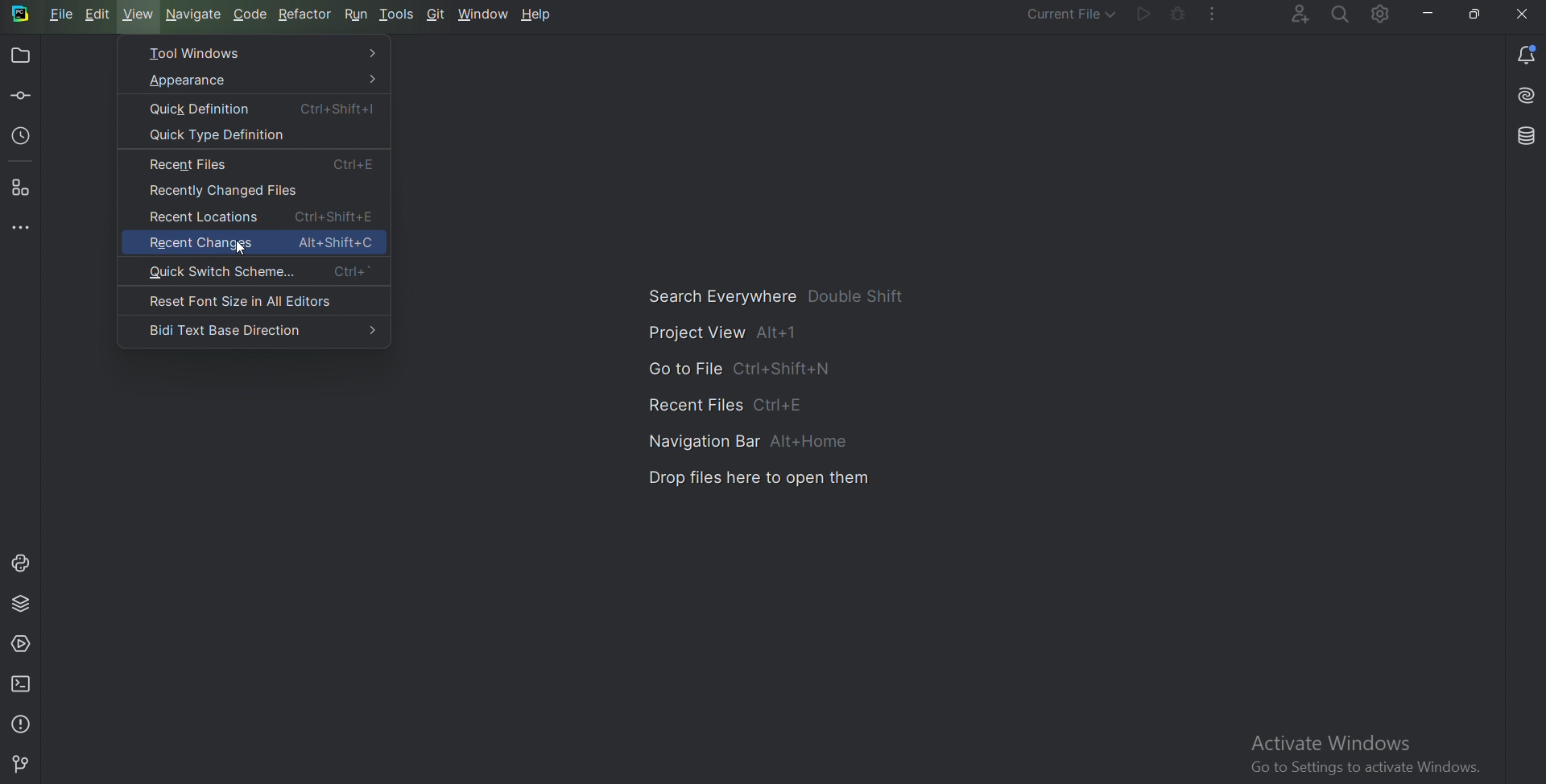 The width and height of the screenshot is (1546, 784). Describe the element at coordinates (1297, 14) in the screenshot. I see `Code with me` at that location.